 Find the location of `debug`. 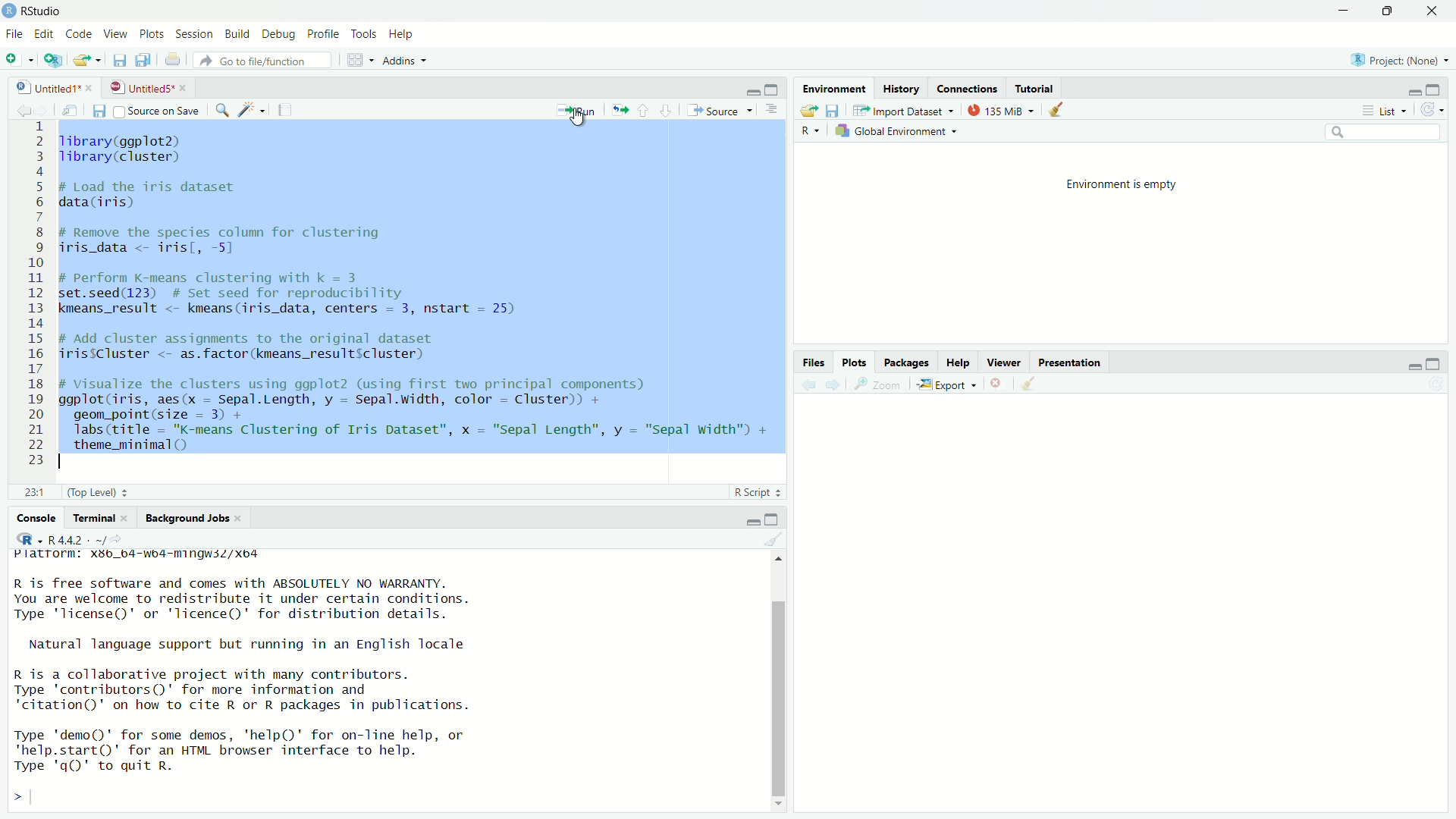

debug is located at coordinates (280, 35).